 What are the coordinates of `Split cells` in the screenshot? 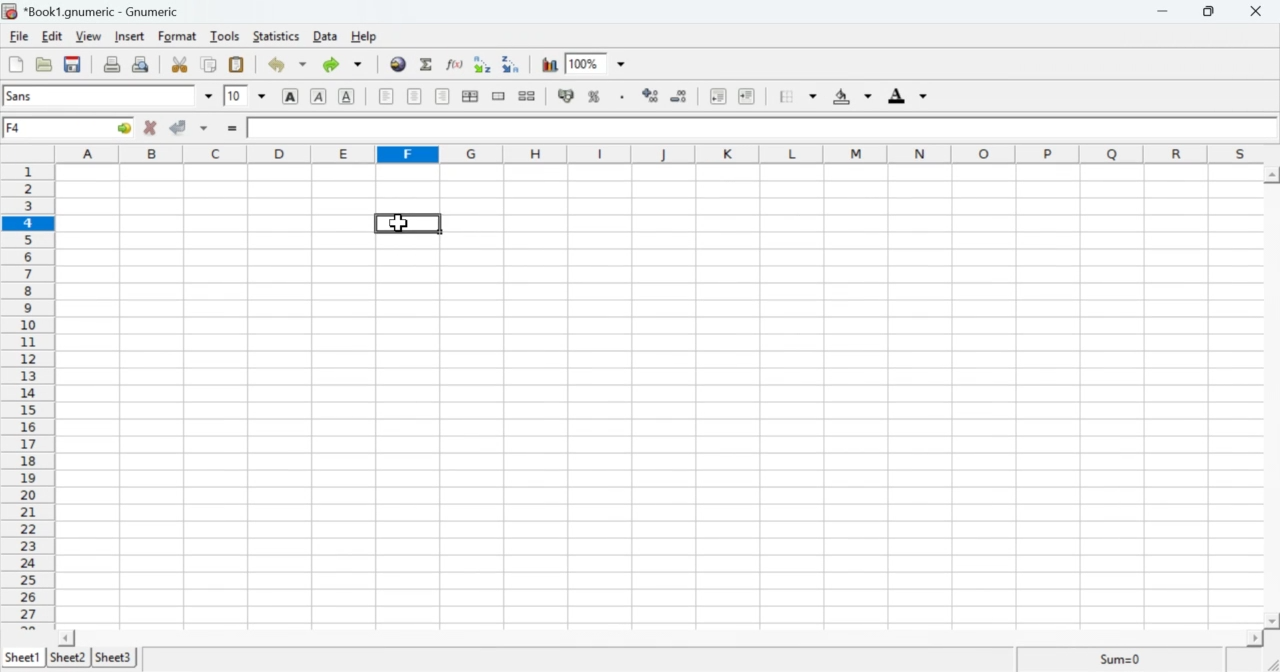 It's located at (529, 98).